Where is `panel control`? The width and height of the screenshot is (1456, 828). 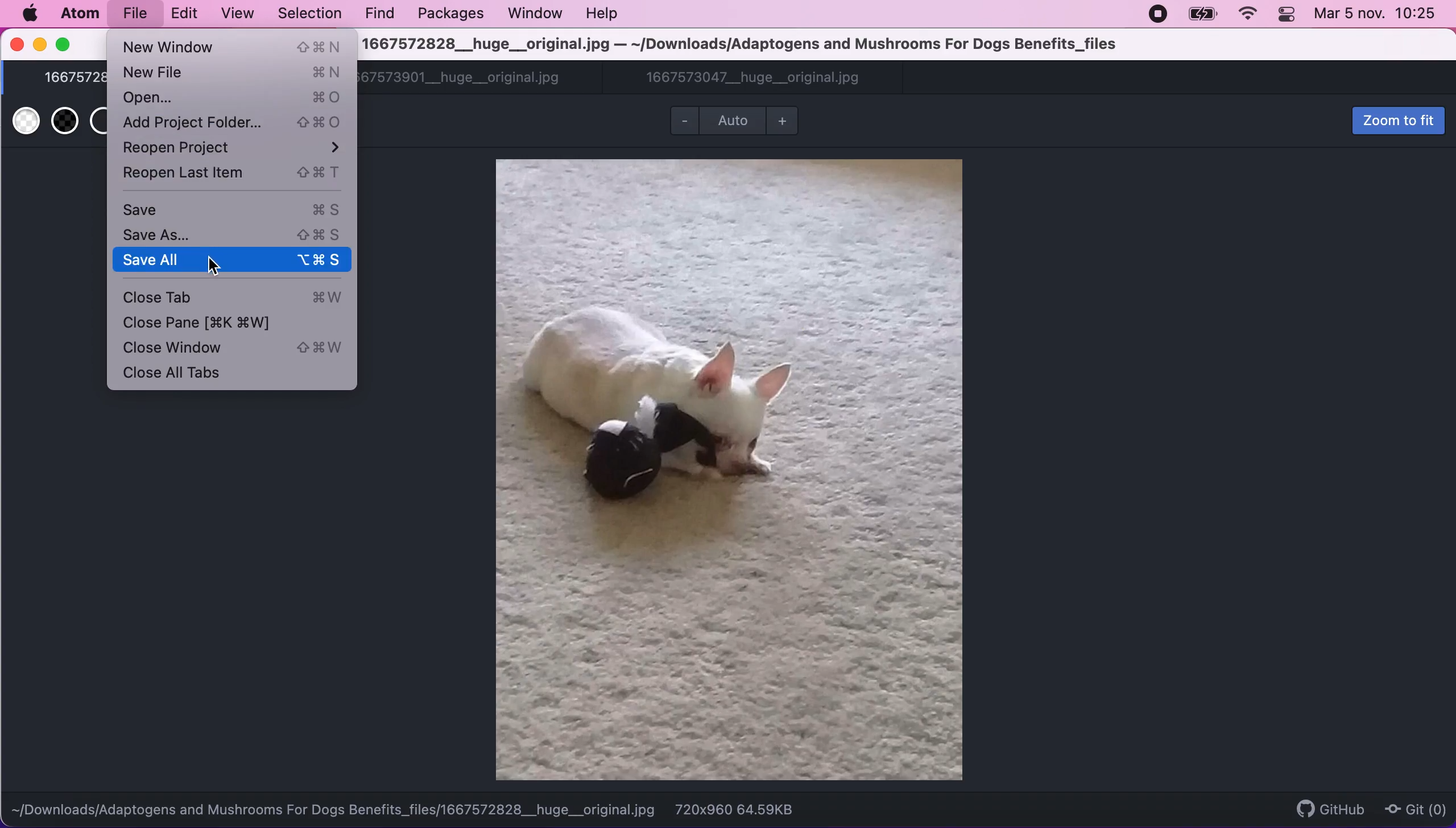
panel control is located at coordinates (1288, 15).